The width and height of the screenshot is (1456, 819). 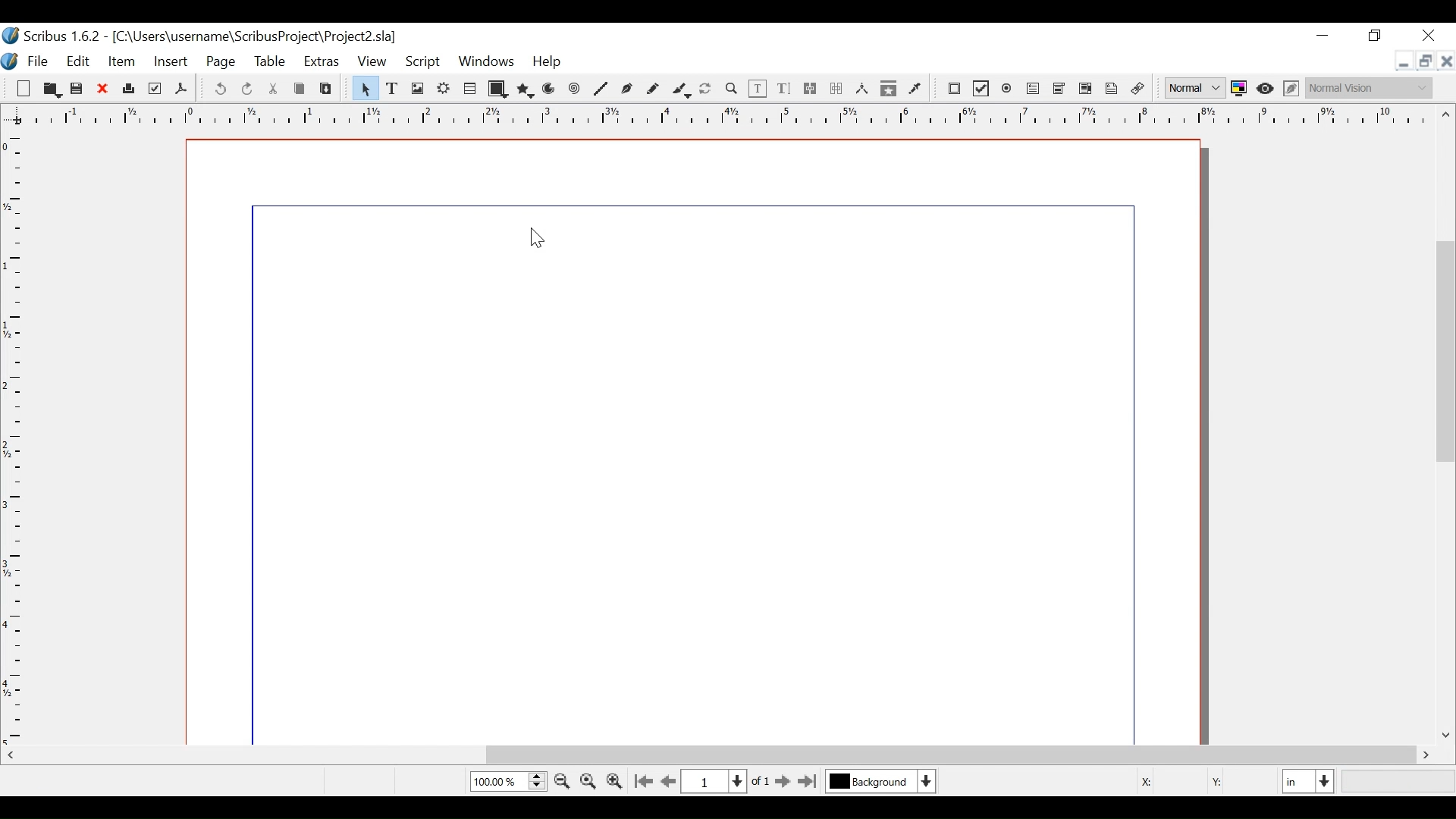 I want to click on Polygon, so click(x=526, y=89).